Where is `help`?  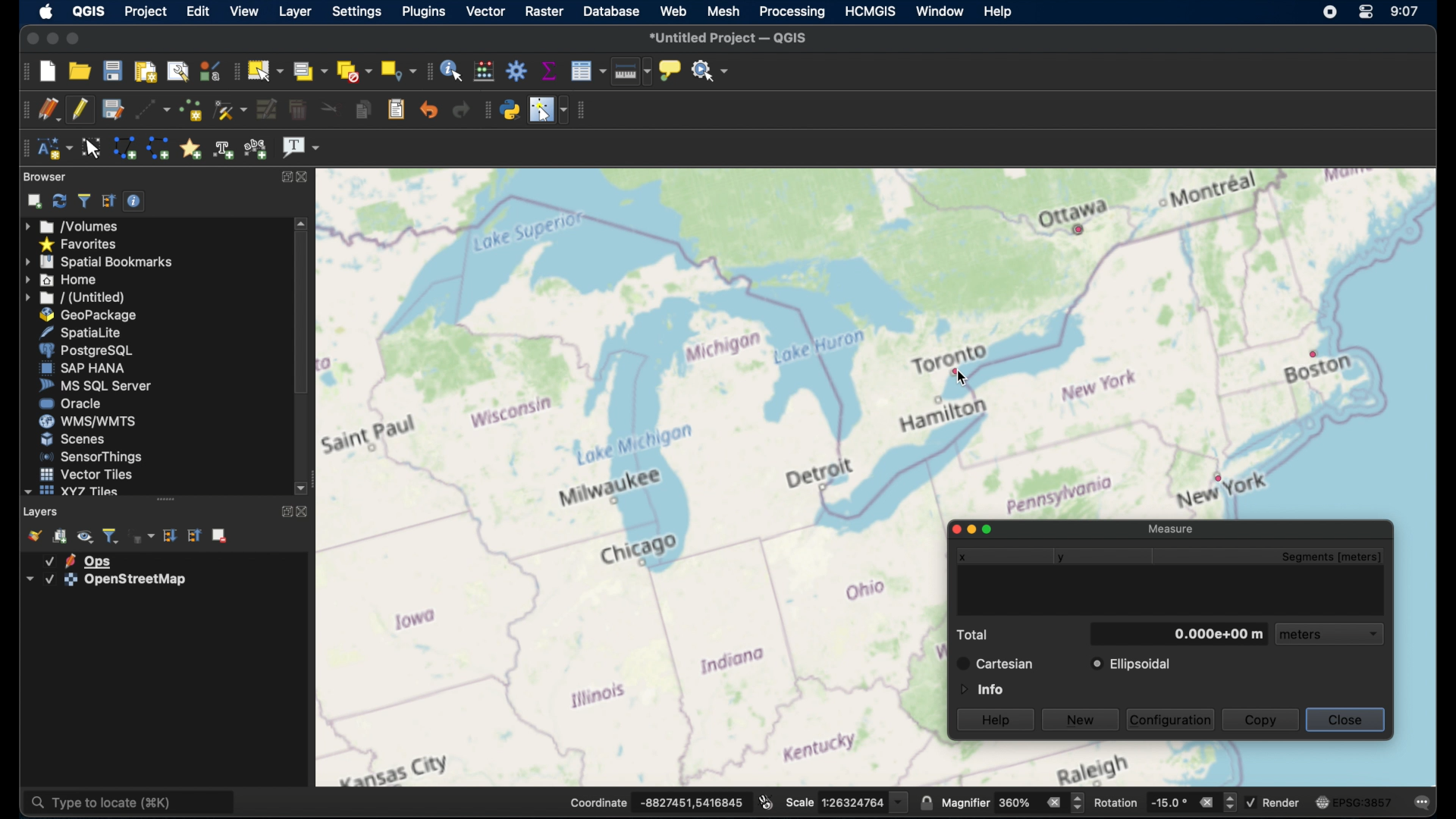
help is located at coordinates (996, 11).